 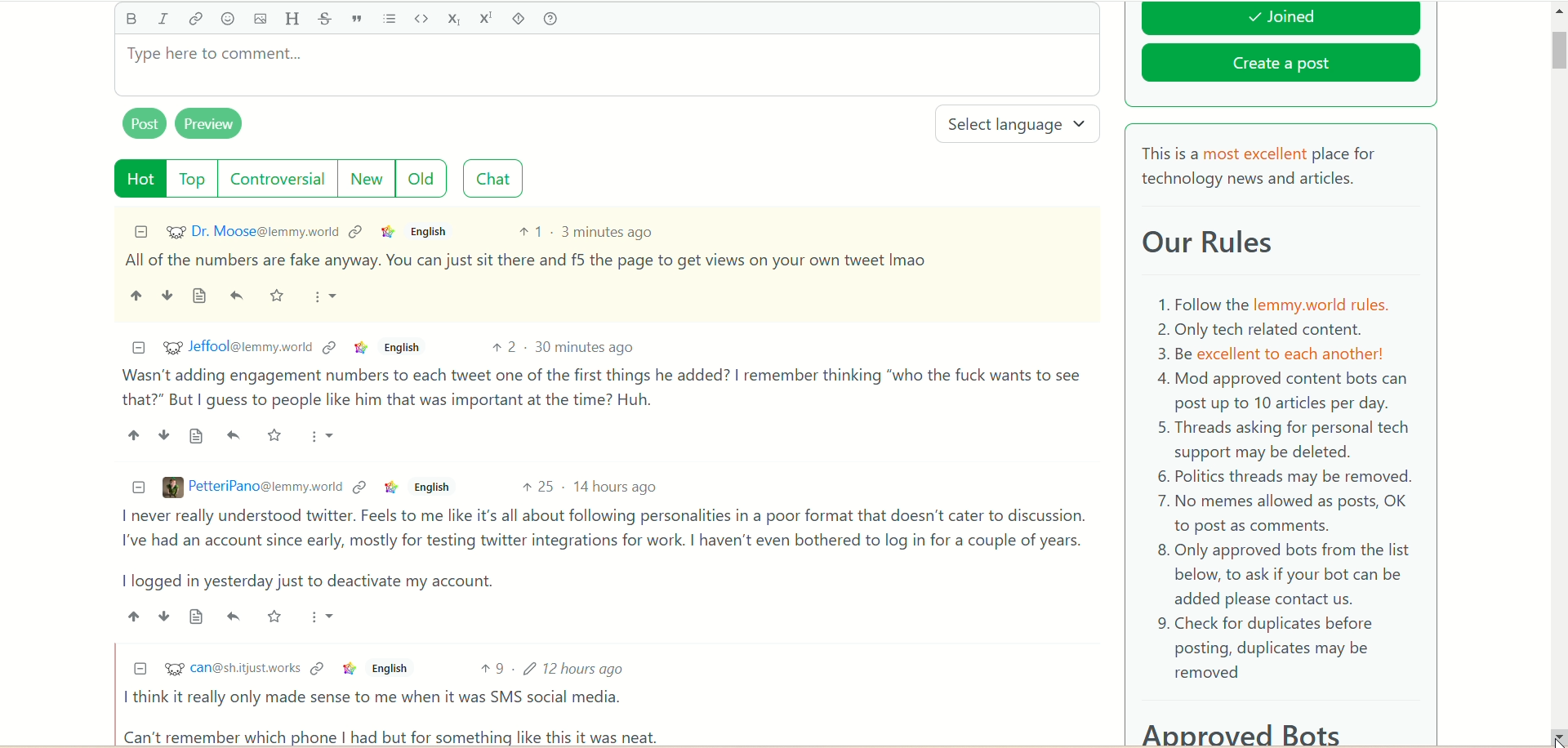 What do you see at coordinates (279, 296) in the screenshot?
I see `Starred` at bounding box center [279, 296].